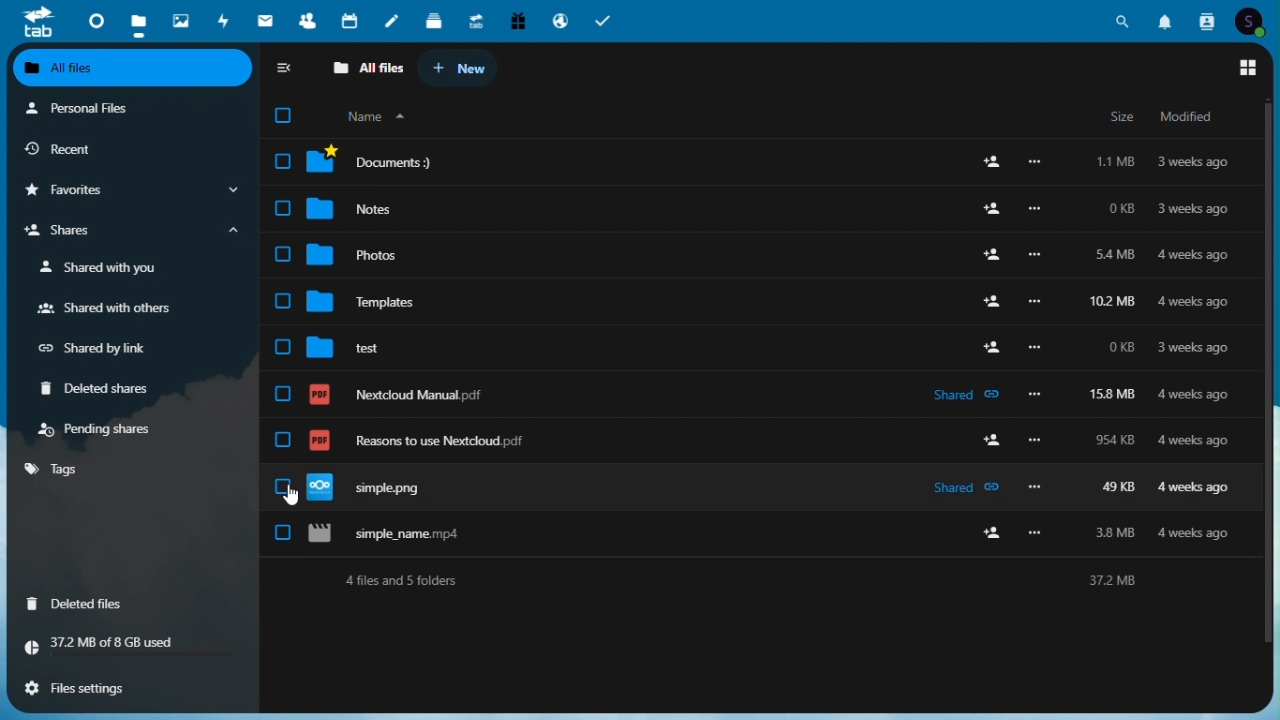 The image size is (1280, 720). Describe the element at coordinates (82, 602) in the screenshot. I see `deleted files` at that location.